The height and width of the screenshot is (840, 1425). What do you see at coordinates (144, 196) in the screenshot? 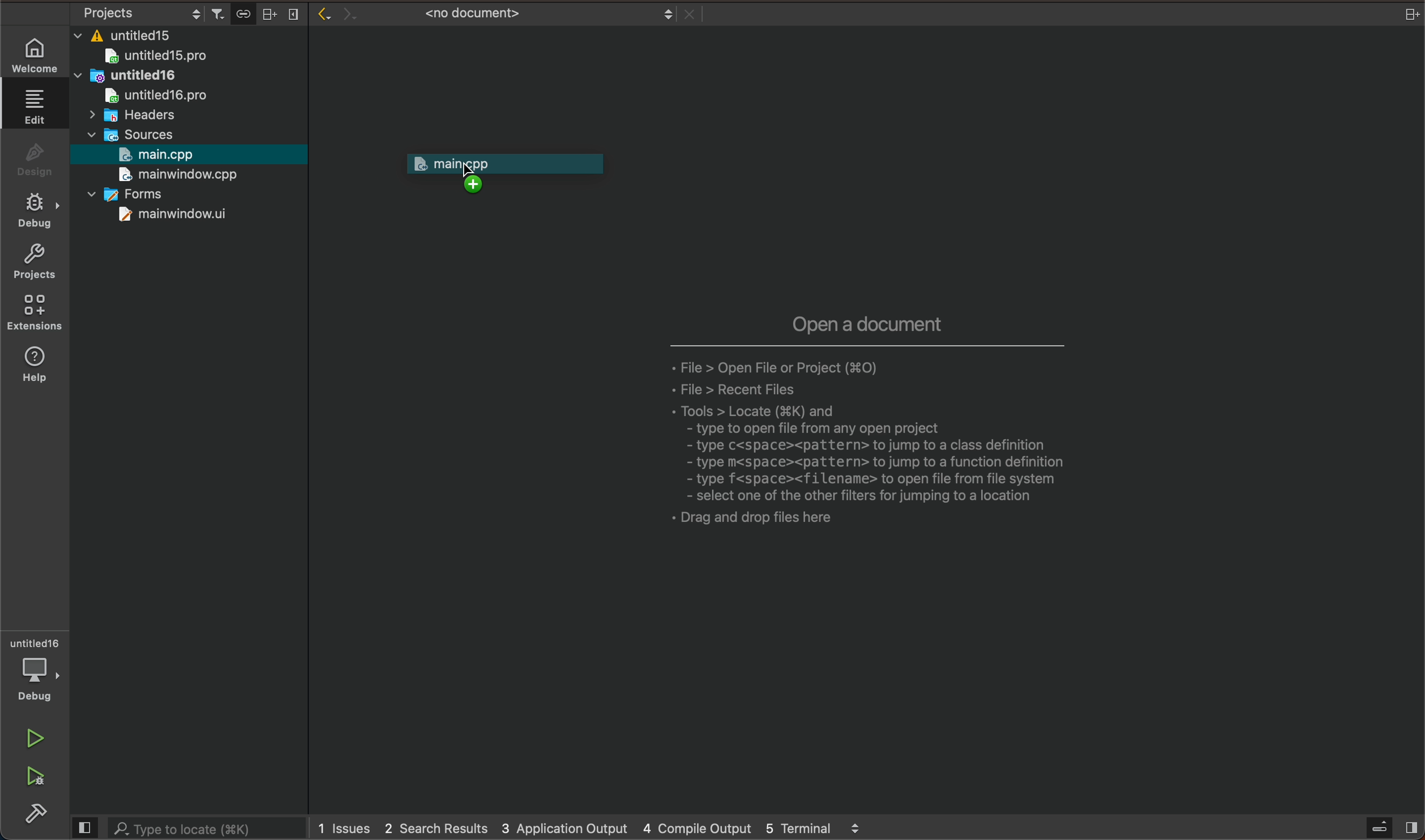
I see `forms` at bounding box center [144, 196].